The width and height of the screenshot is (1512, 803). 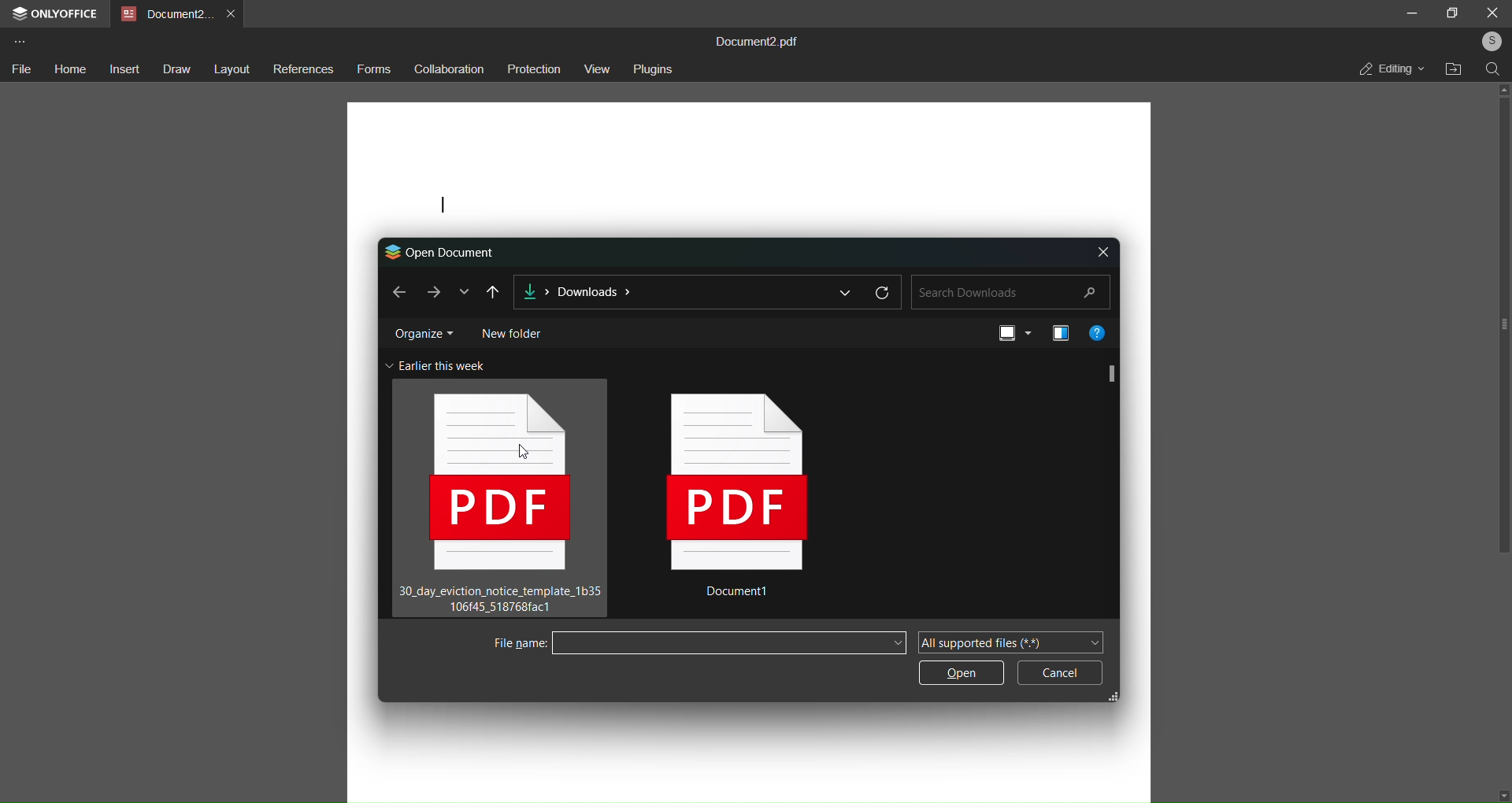 I want to click on list, so click(x=845, y=291).